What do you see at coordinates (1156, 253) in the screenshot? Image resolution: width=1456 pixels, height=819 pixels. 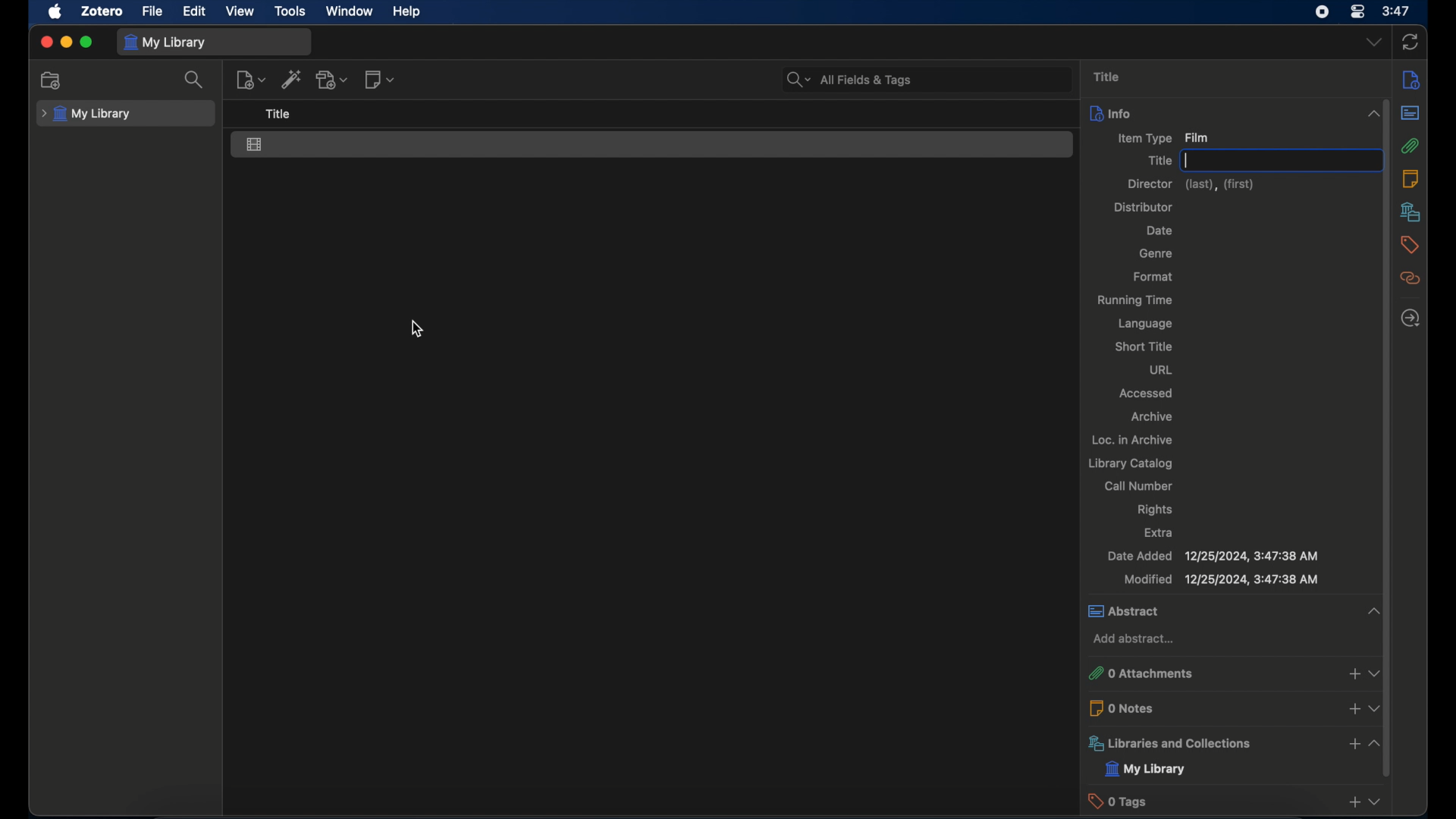 I see `genre` at bounding box center [1156, 253].